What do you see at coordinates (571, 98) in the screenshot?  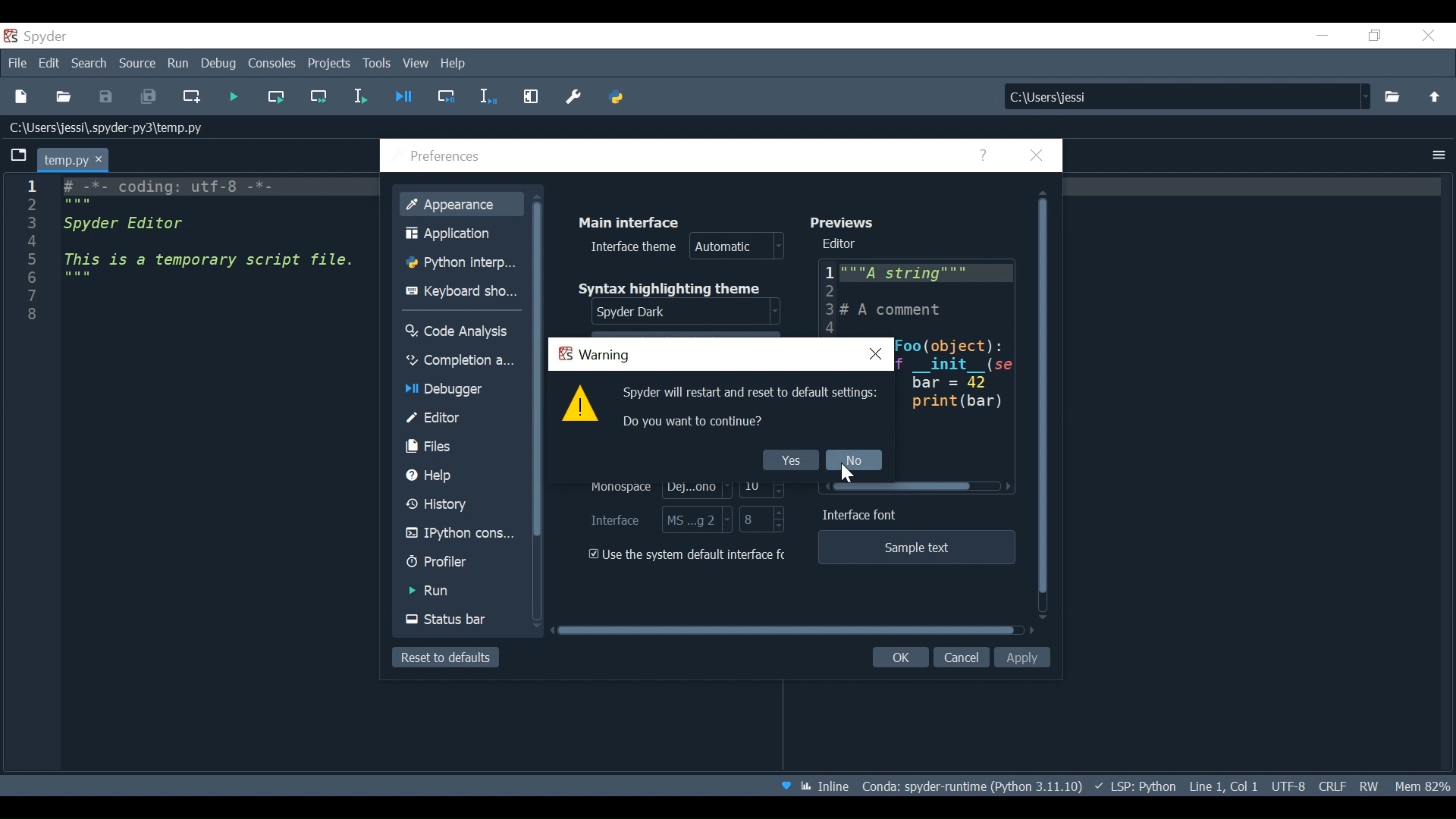 I see `Preference` at bounding box center [571, 98].